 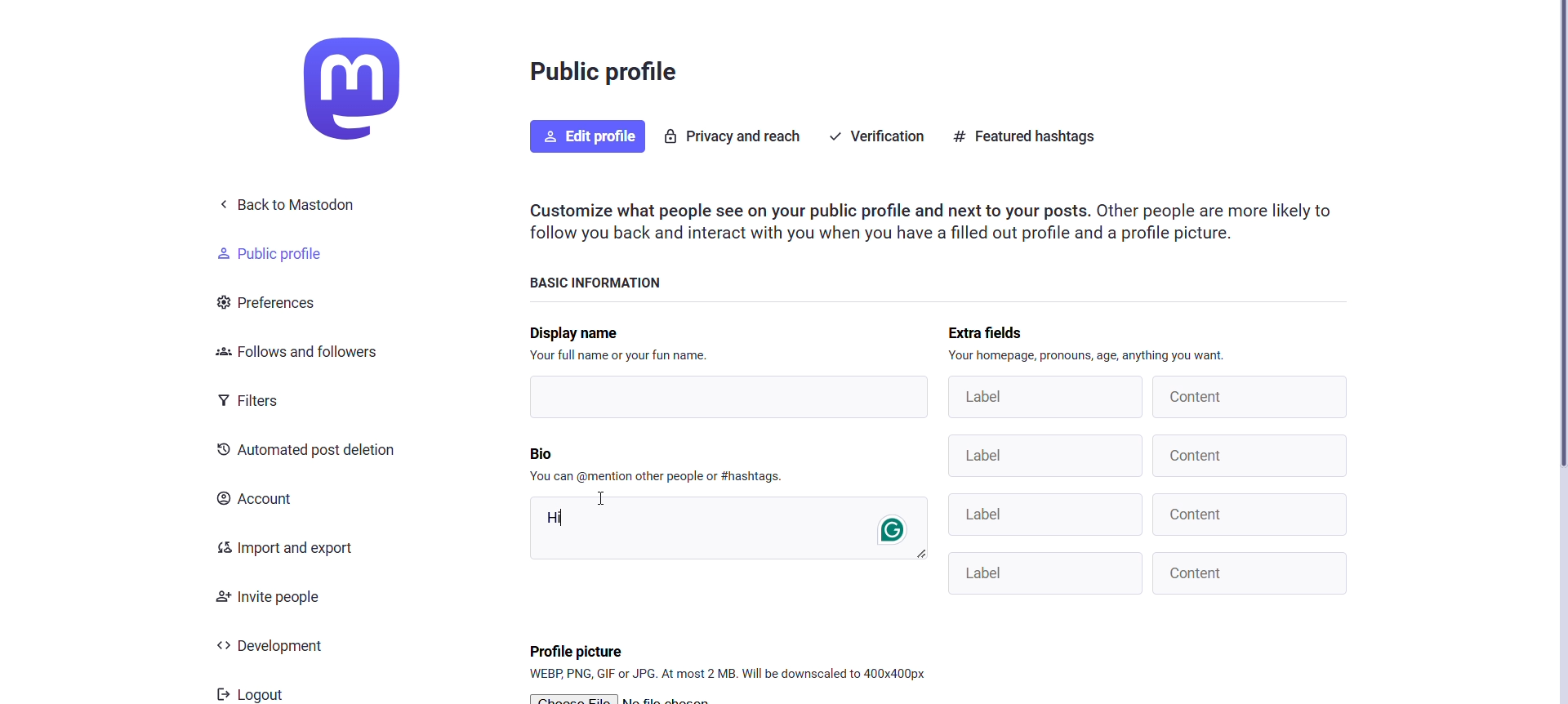 What do you see at coordinates (295, 354) in the screenshot?
I see `Follows and Followers` at bounding box center [295, 354].